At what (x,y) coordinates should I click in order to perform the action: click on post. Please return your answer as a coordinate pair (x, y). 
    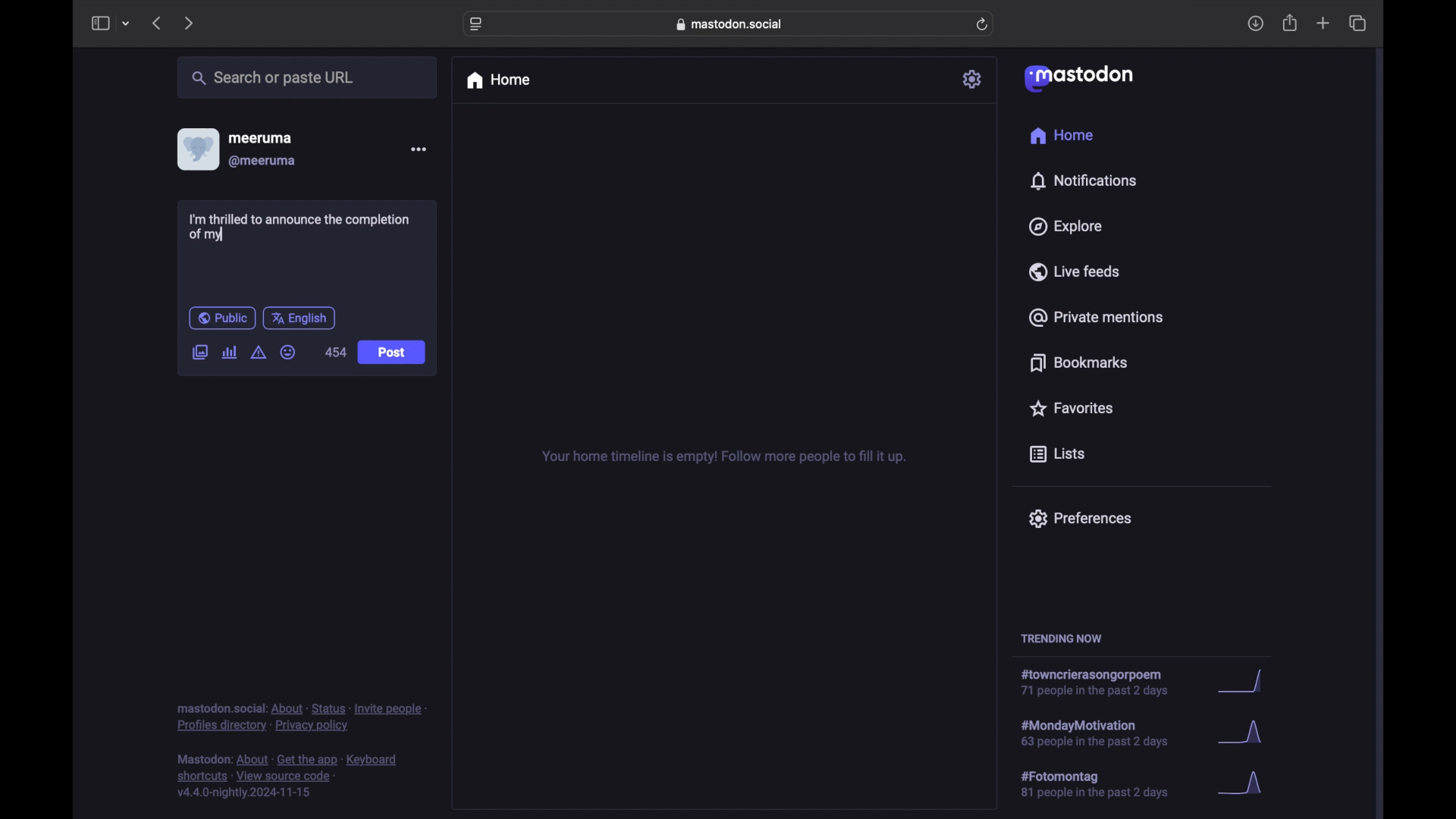
    Looking at the image, I should click on (393, 353).